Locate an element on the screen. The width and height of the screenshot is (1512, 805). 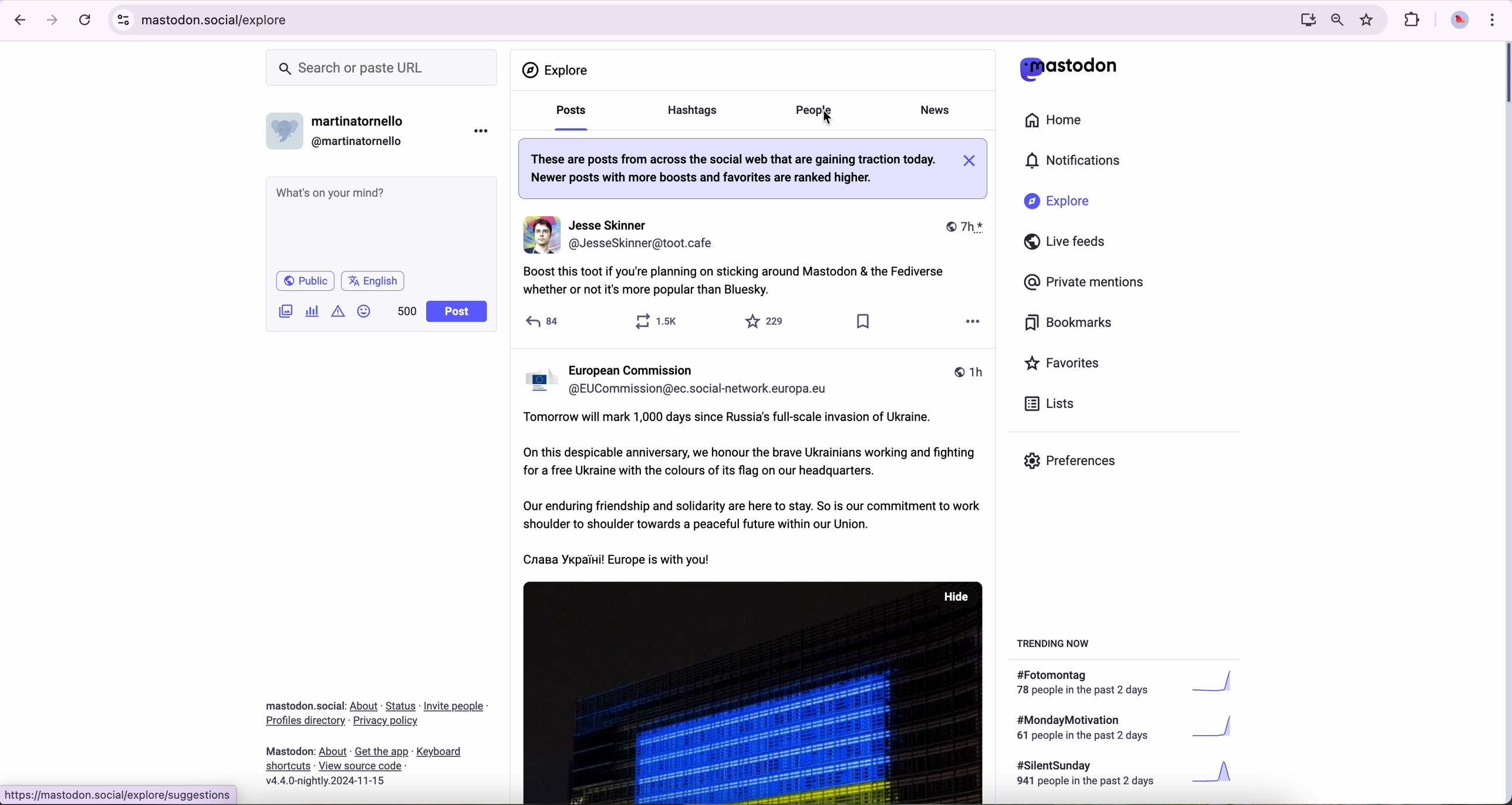
7h is located at coordinates (958, 228).